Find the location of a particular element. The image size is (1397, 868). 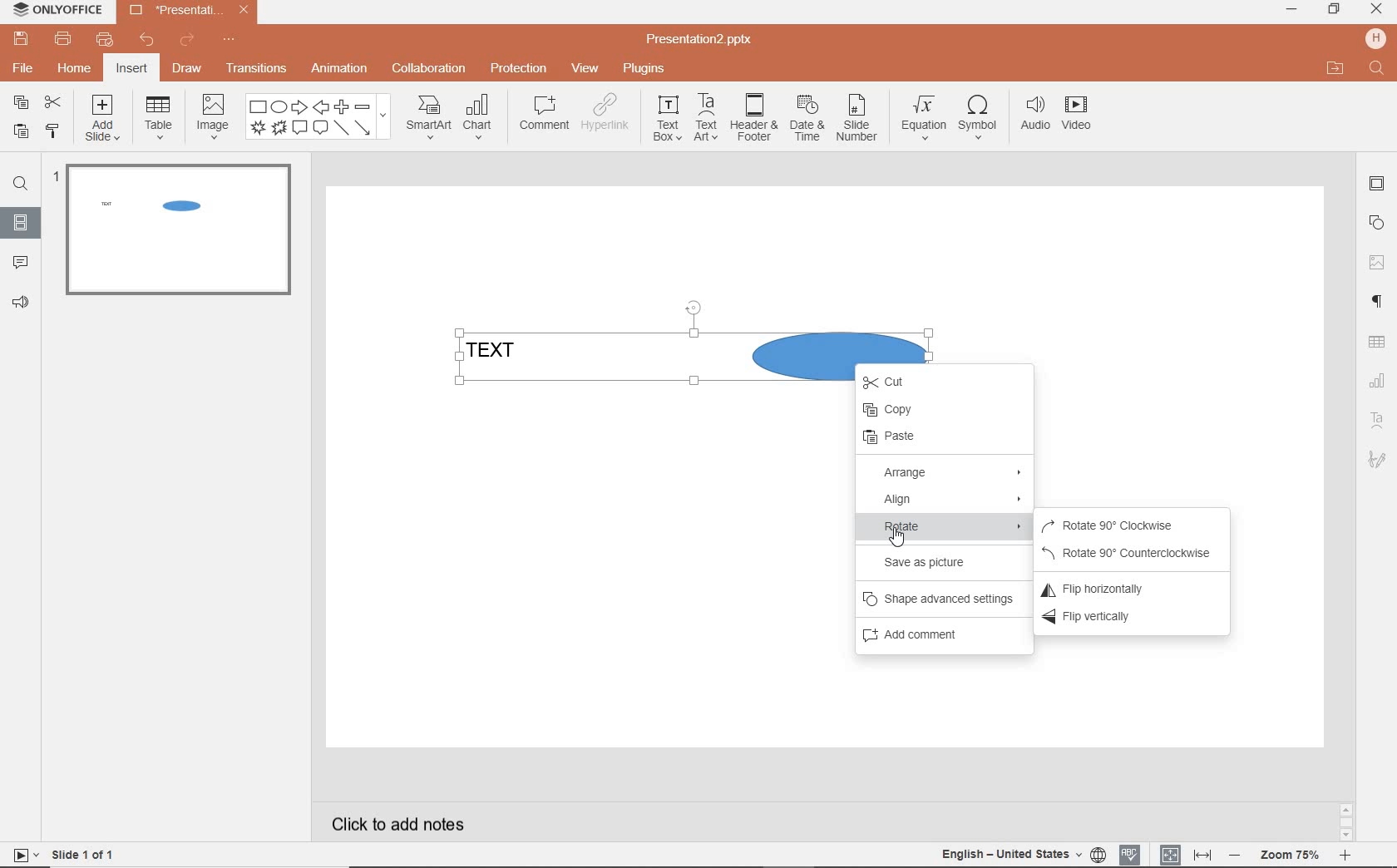

plugins is located at coordinates (643, 70).